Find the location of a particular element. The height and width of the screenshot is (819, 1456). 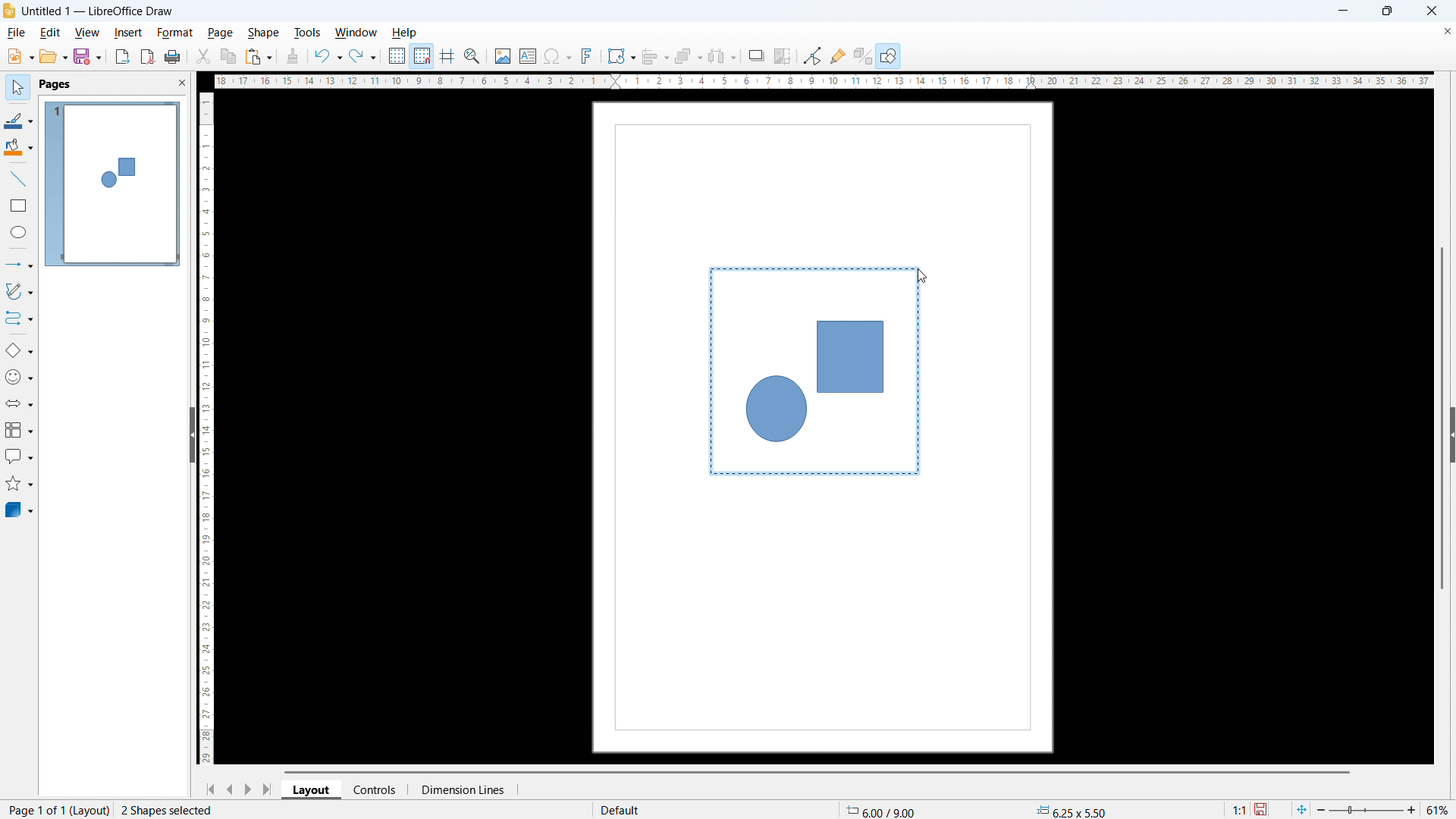

transformation is located at coordinates (620, 57).